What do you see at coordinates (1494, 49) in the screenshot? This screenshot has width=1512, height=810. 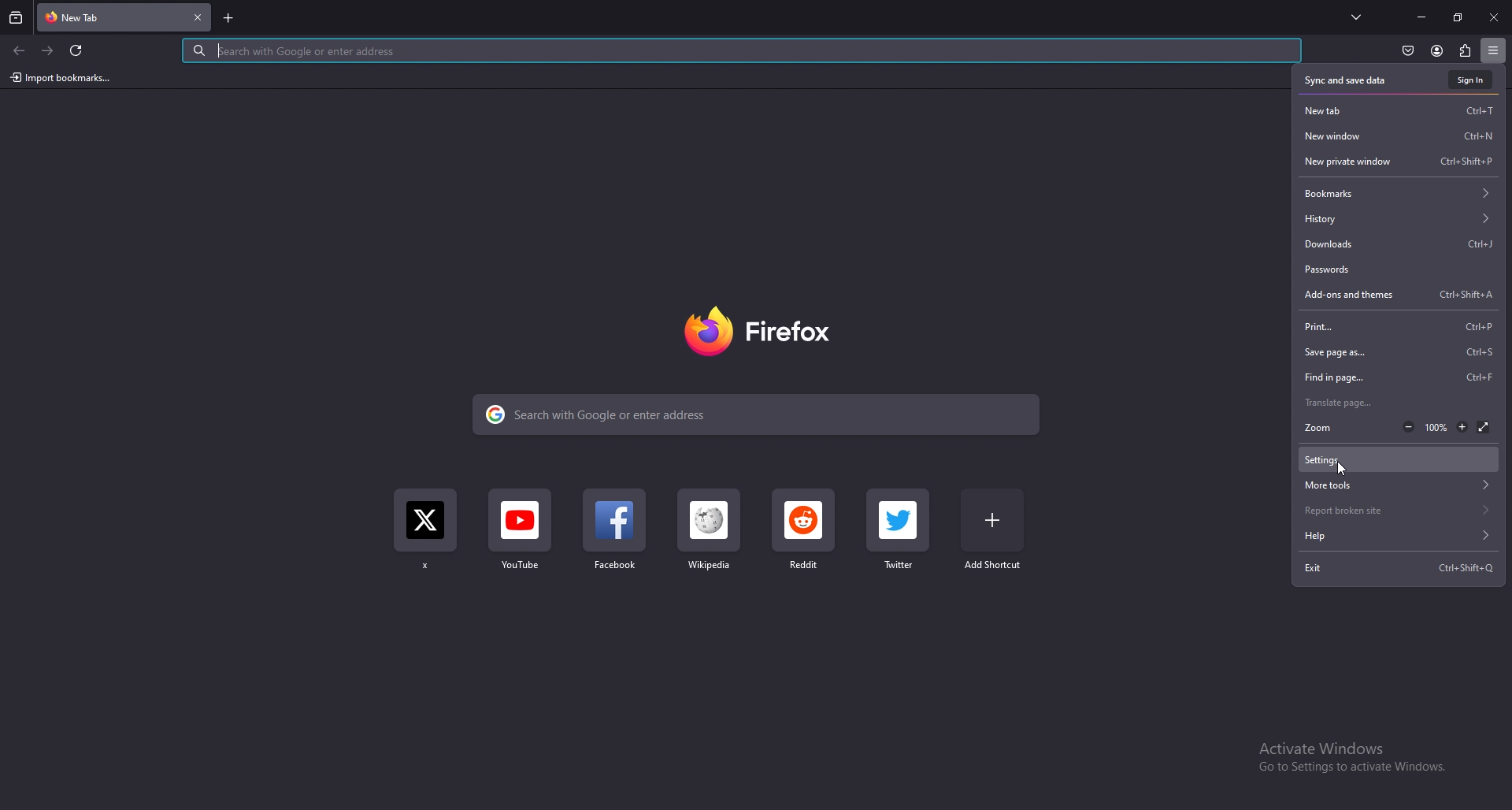 I see `application menu` at bounding box center [1494, 49].